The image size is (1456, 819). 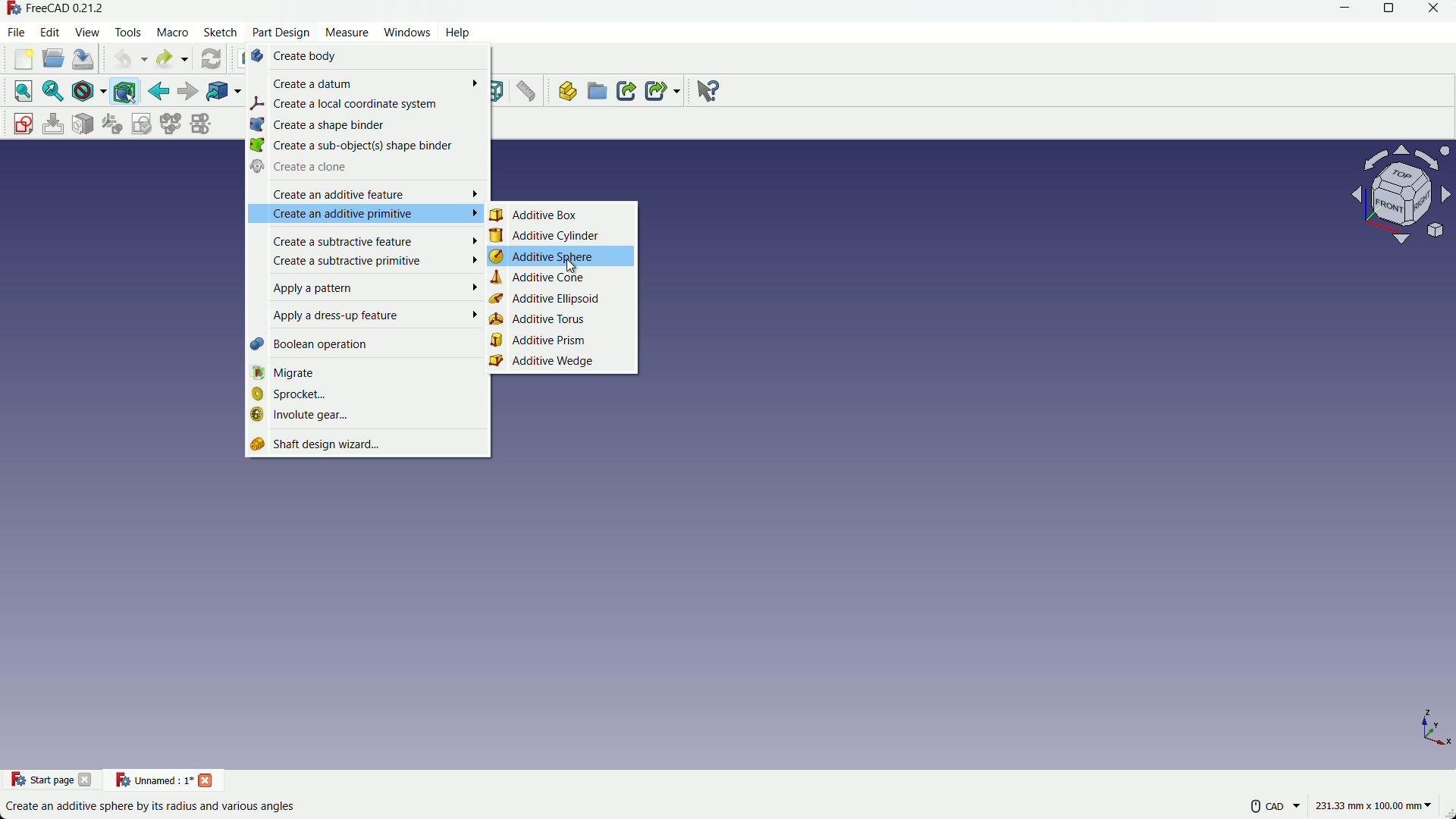 I want to click on measuring unit, so click(x=1375, y=804).